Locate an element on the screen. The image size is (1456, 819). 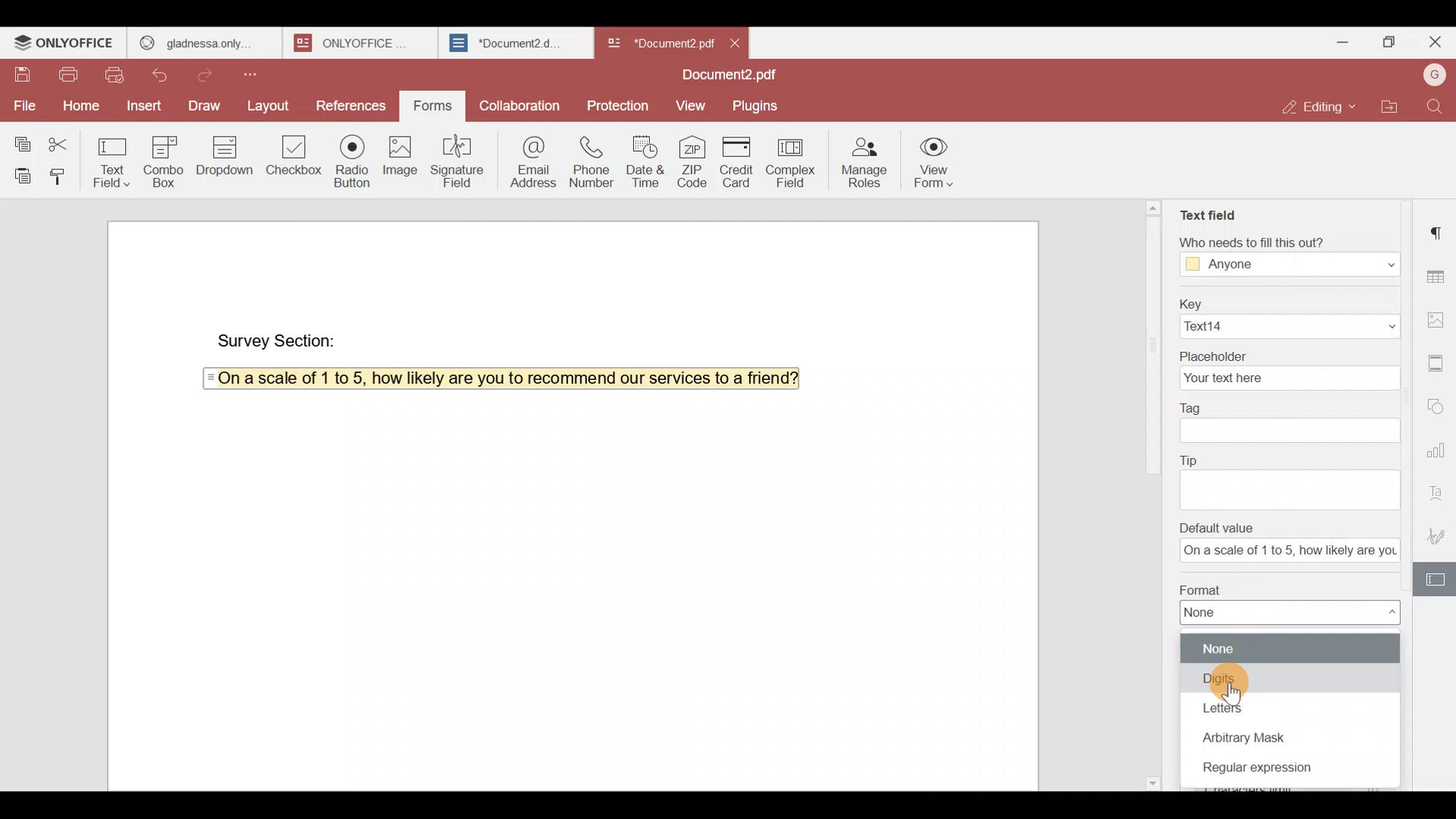
Anyone is located at coordinates (1289, 265).